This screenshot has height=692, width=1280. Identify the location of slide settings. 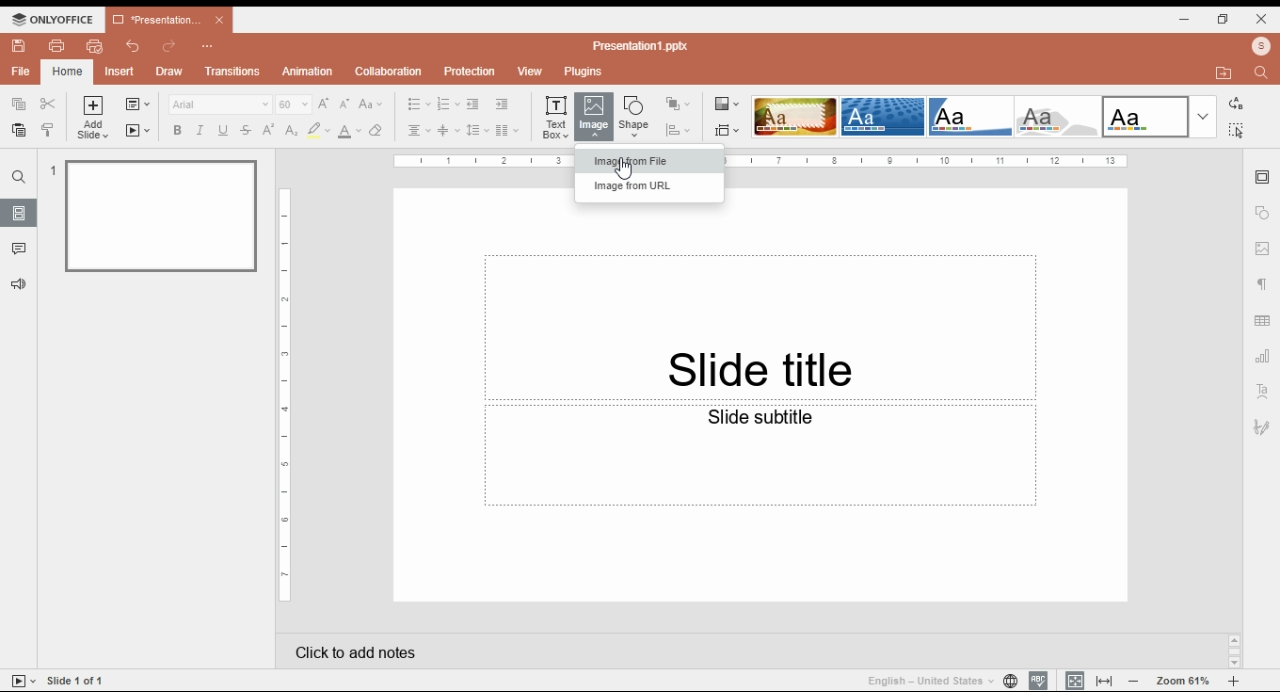
(1264, 177).